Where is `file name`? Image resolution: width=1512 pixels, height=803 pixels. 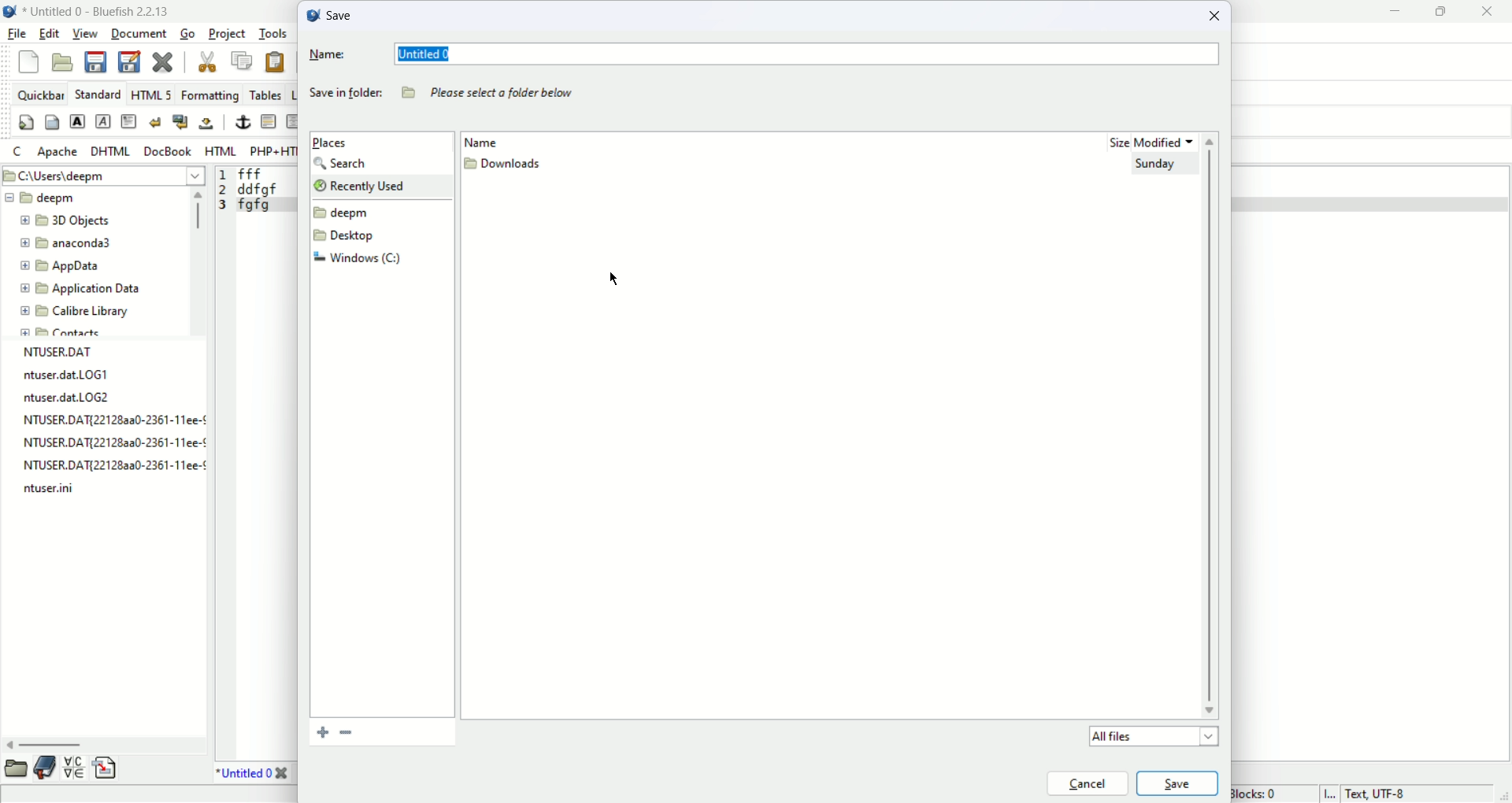 file name is located at coordinates (111, 468).